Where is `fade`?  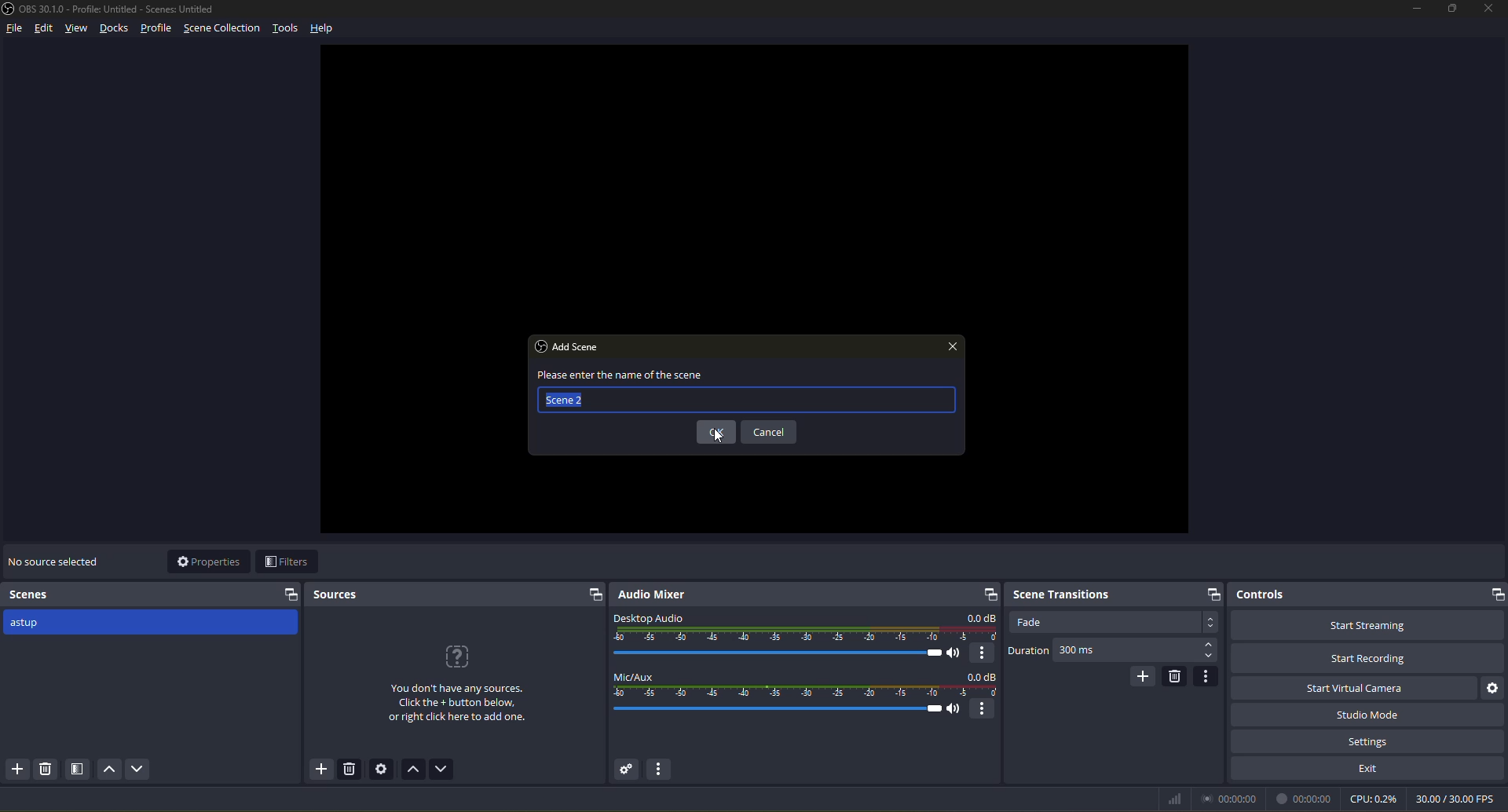
fade is located at coordinates (1034, 622).